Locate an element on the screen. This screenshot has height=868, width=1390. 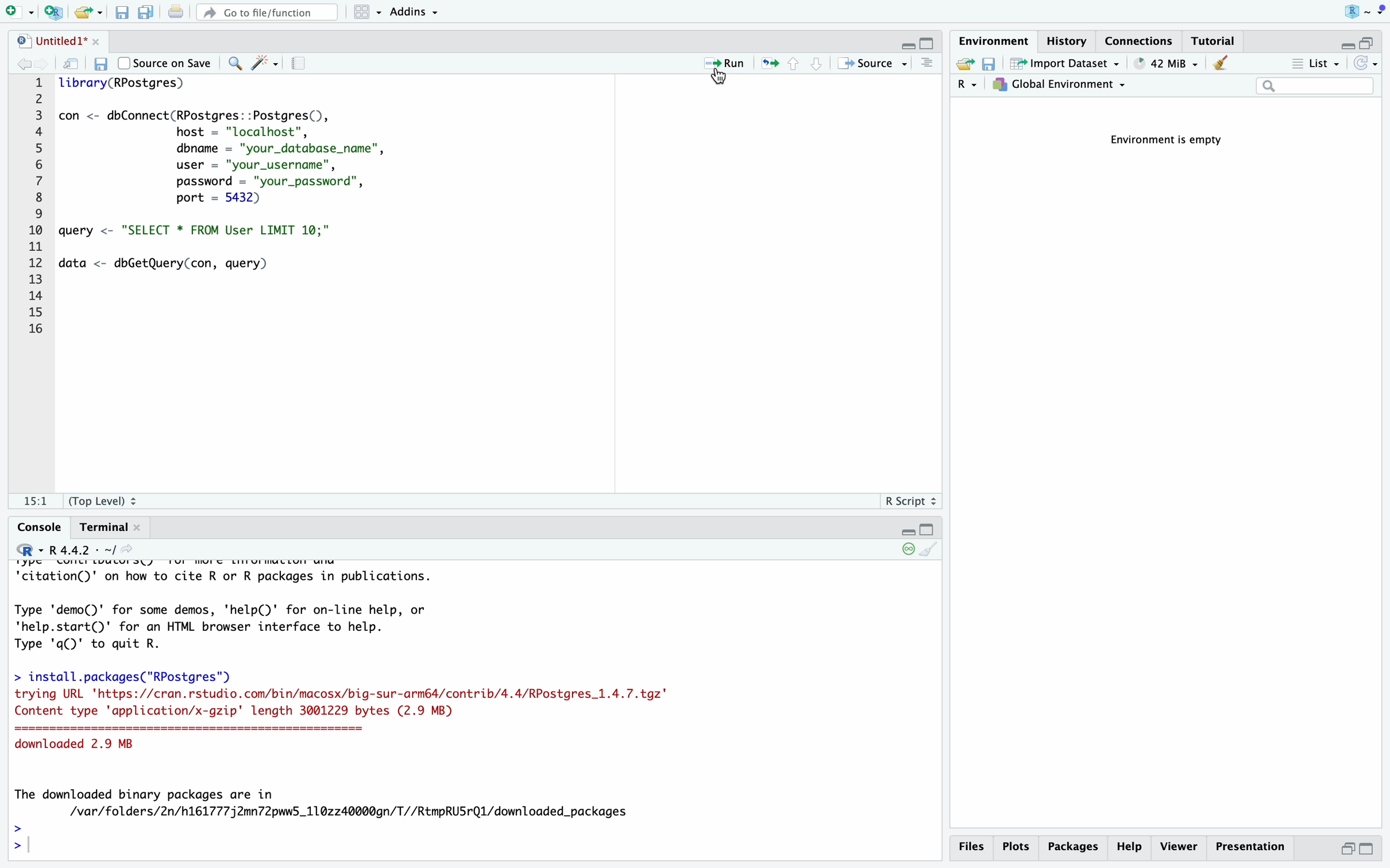
history is located at coordinates (1071, 40).